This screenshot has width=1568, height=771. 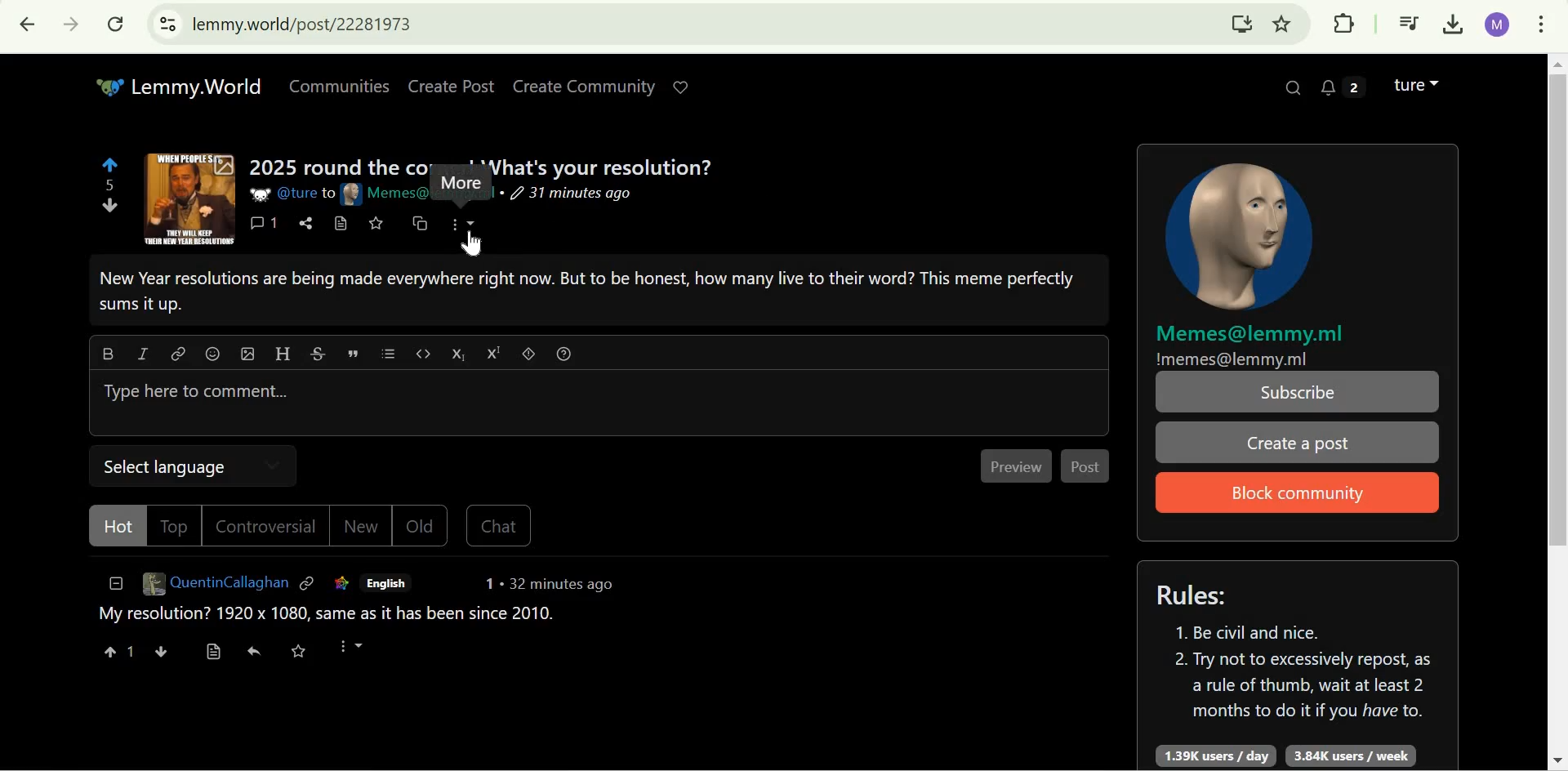 I want to click on More, so click(x=464, y=186).